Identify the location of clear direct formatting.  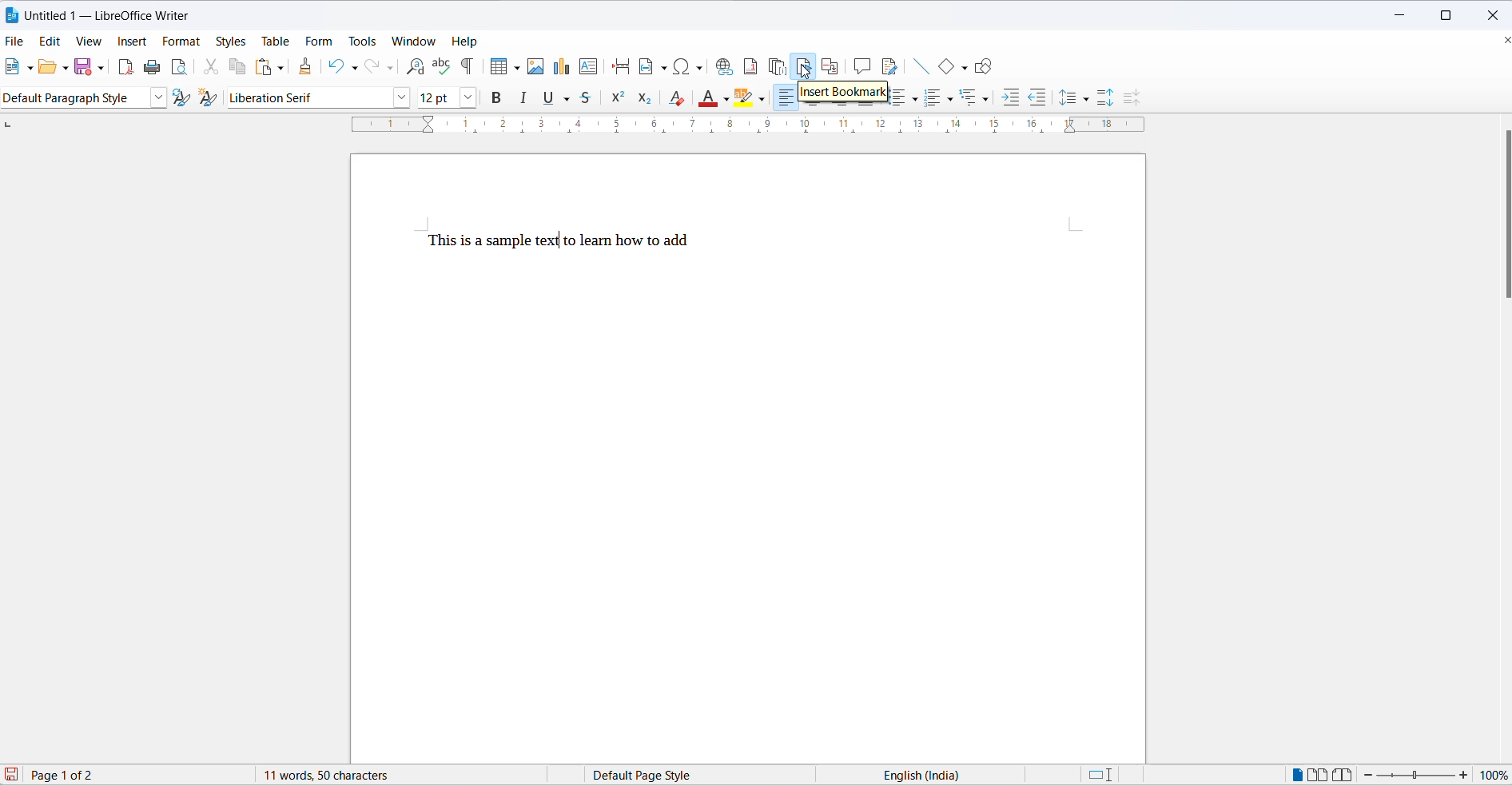
(676, 98).